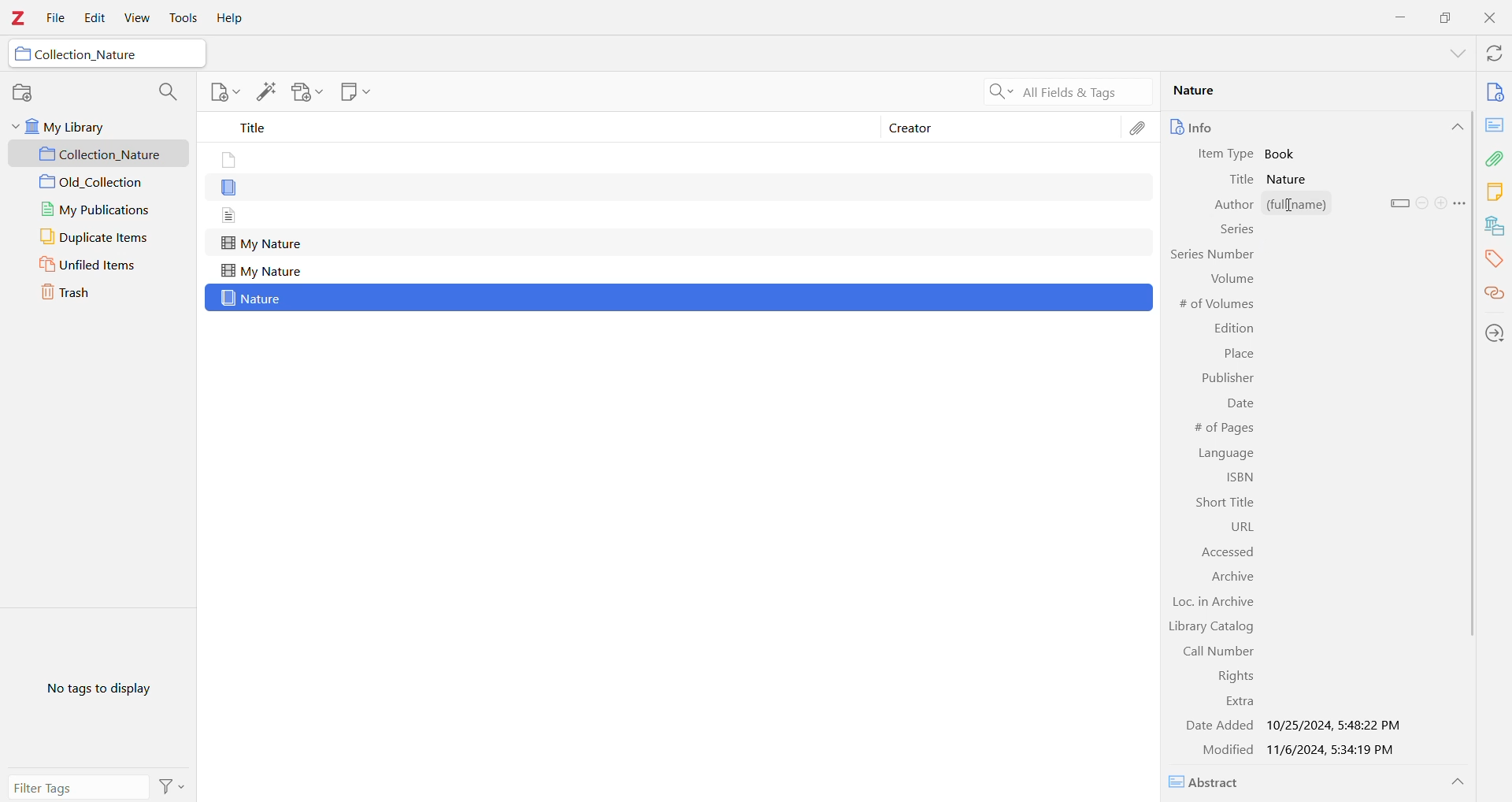 The image size is (1512, 802). What do you see at coordinates (1284, 154) in the screenshot?
I see `Book` at bounding box center [1284, 154].